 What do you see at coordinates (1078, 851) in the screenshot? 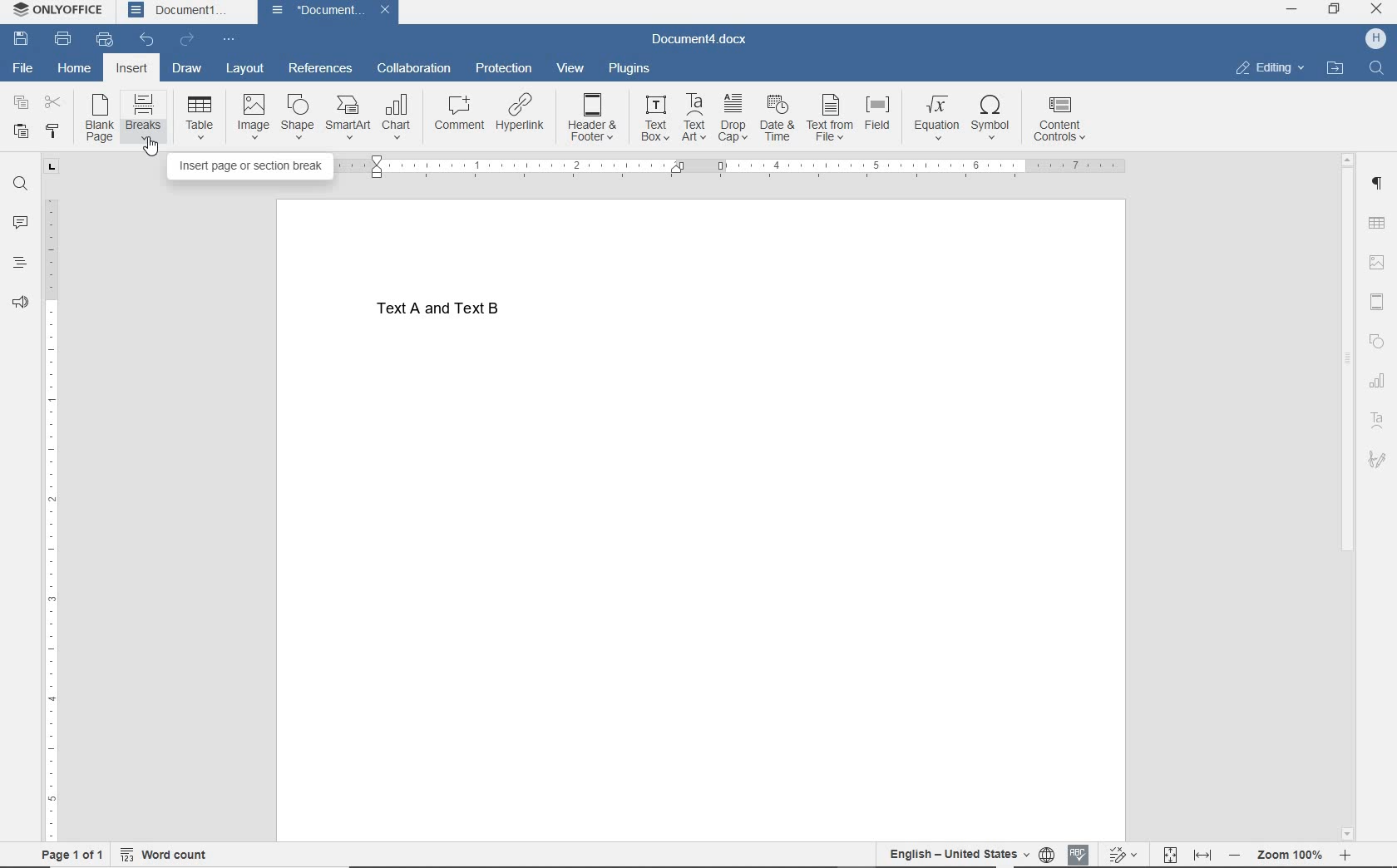
I see `SPELL CHECKING` at bounding box center [1078, 851].